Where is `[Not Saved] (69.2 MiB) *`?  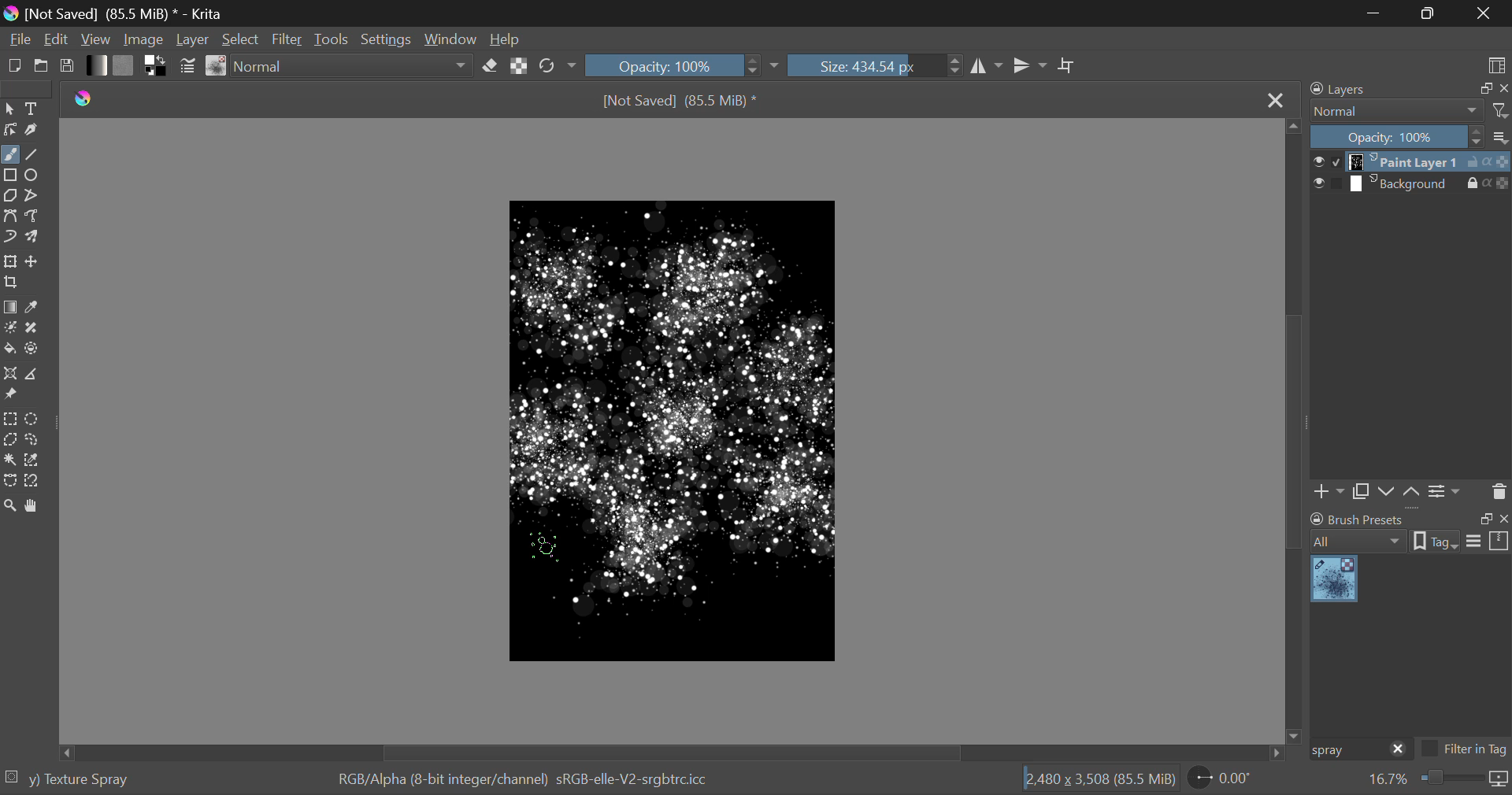
[Not Saved] (69.2 MiB) * is located at coordinates (680, 102).